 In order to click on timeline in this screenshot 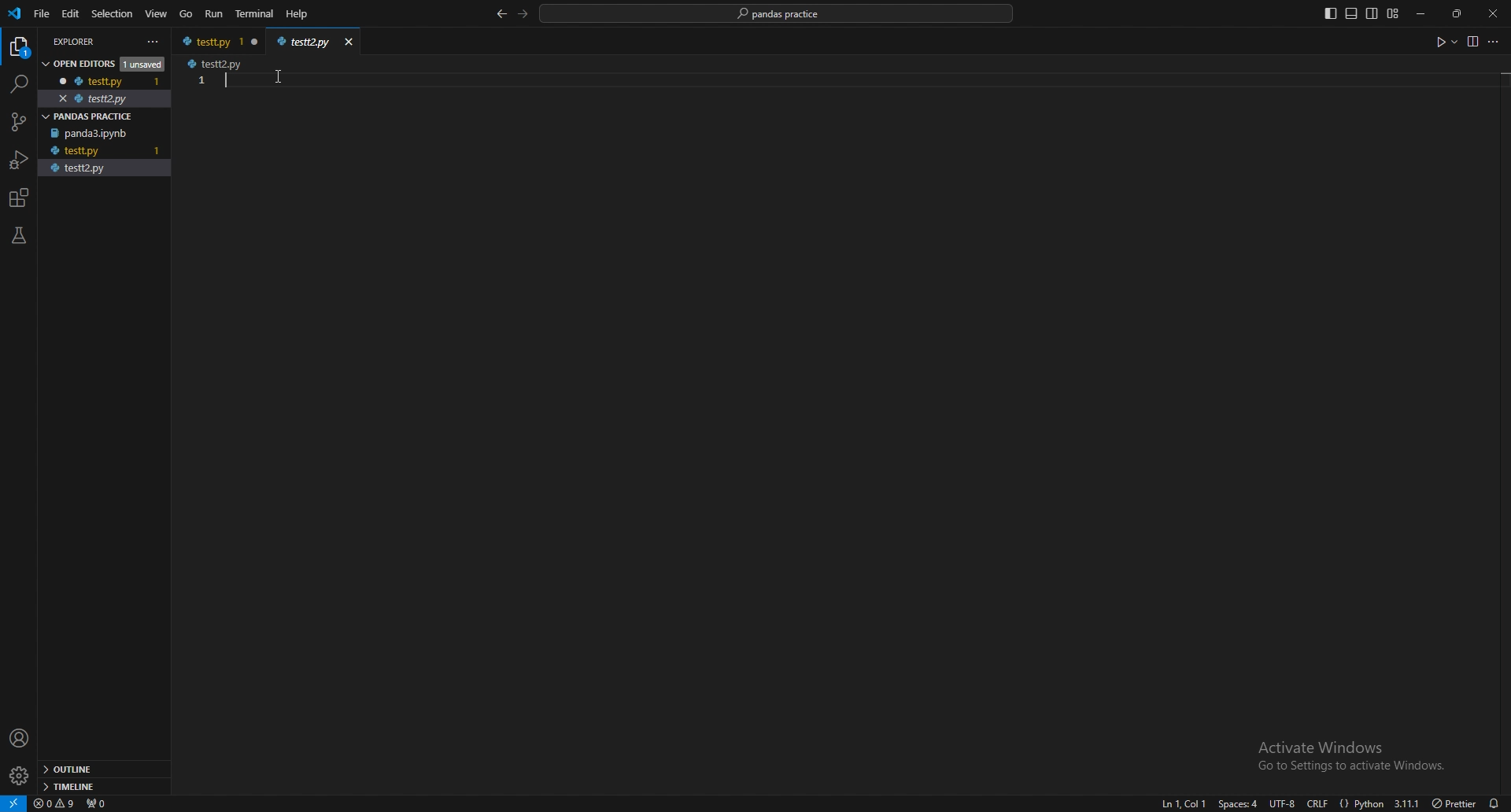, I will do `click(102, 785)`.